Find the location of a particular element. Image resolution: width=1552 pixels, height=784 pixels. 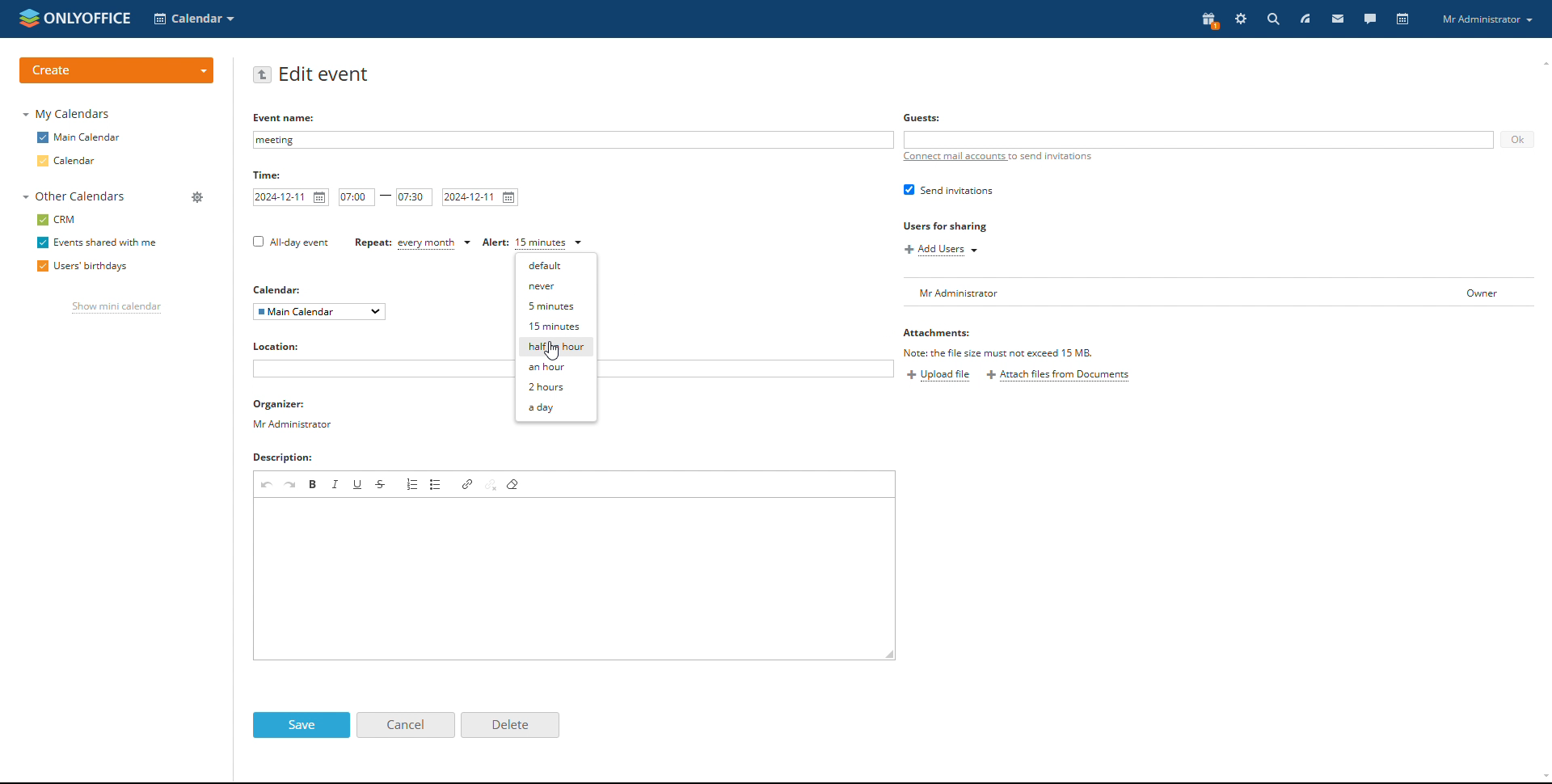

crm is located at coordinates (57, 220).